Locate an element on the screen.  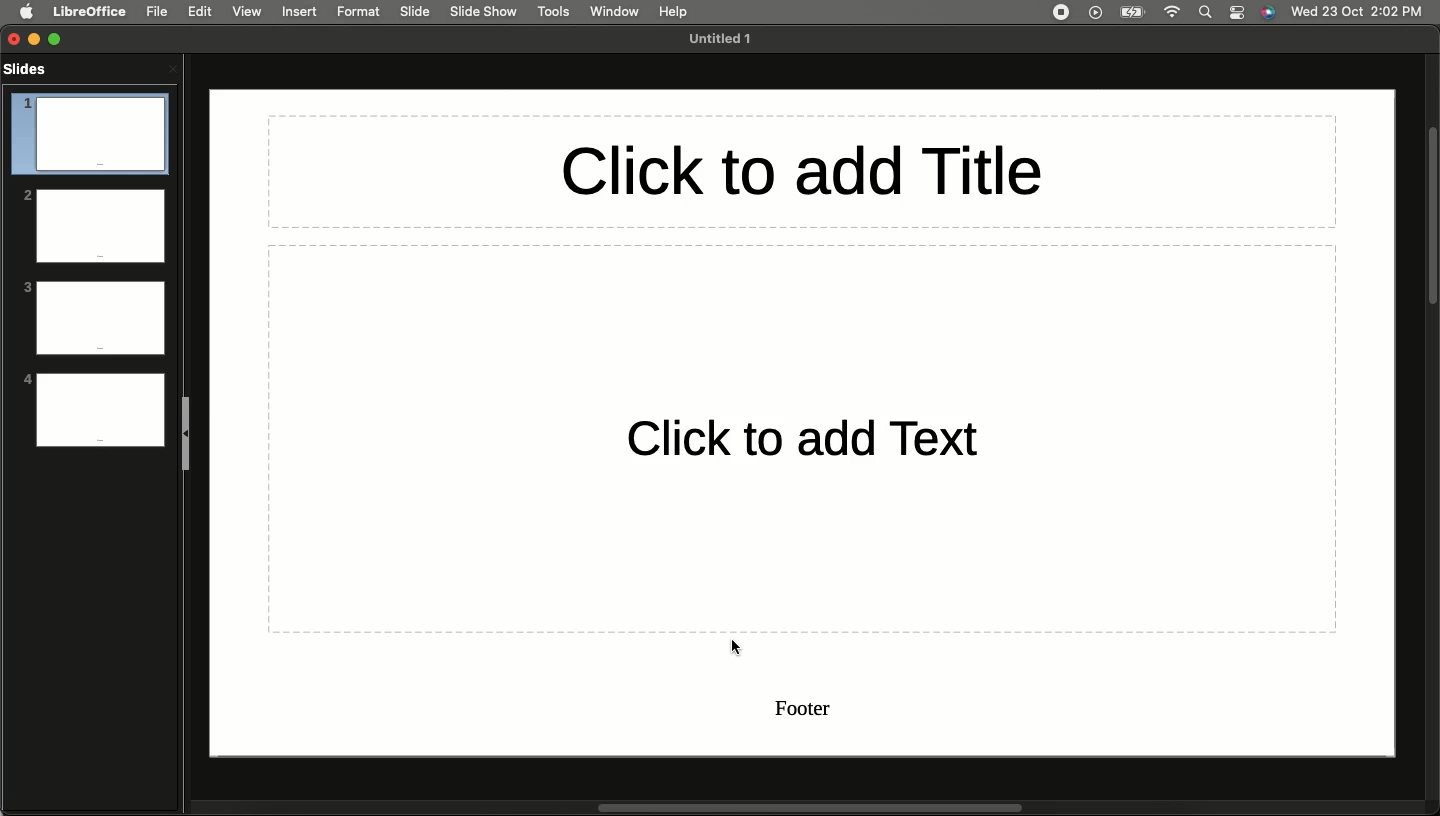
1 is located at coordinates (89, 121).